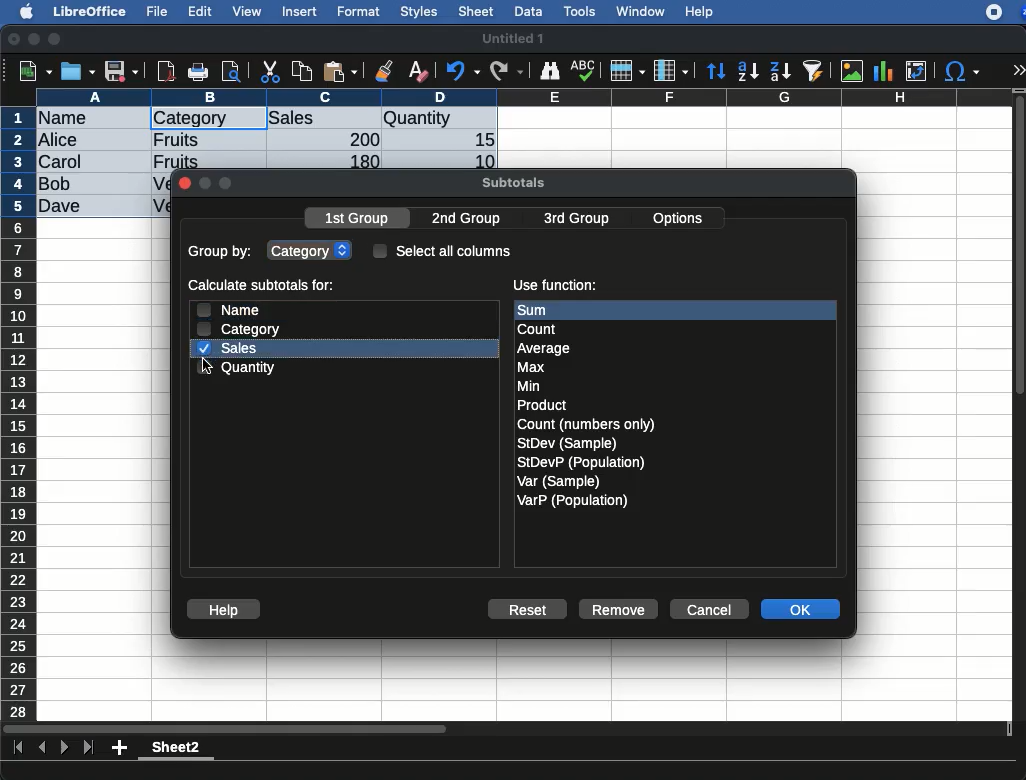 The image size is (1026, 780). What do you see at coordinates (264, 287) in the screenshot?
I see `calculate subtotals for:` at bounding box center [264, 287].